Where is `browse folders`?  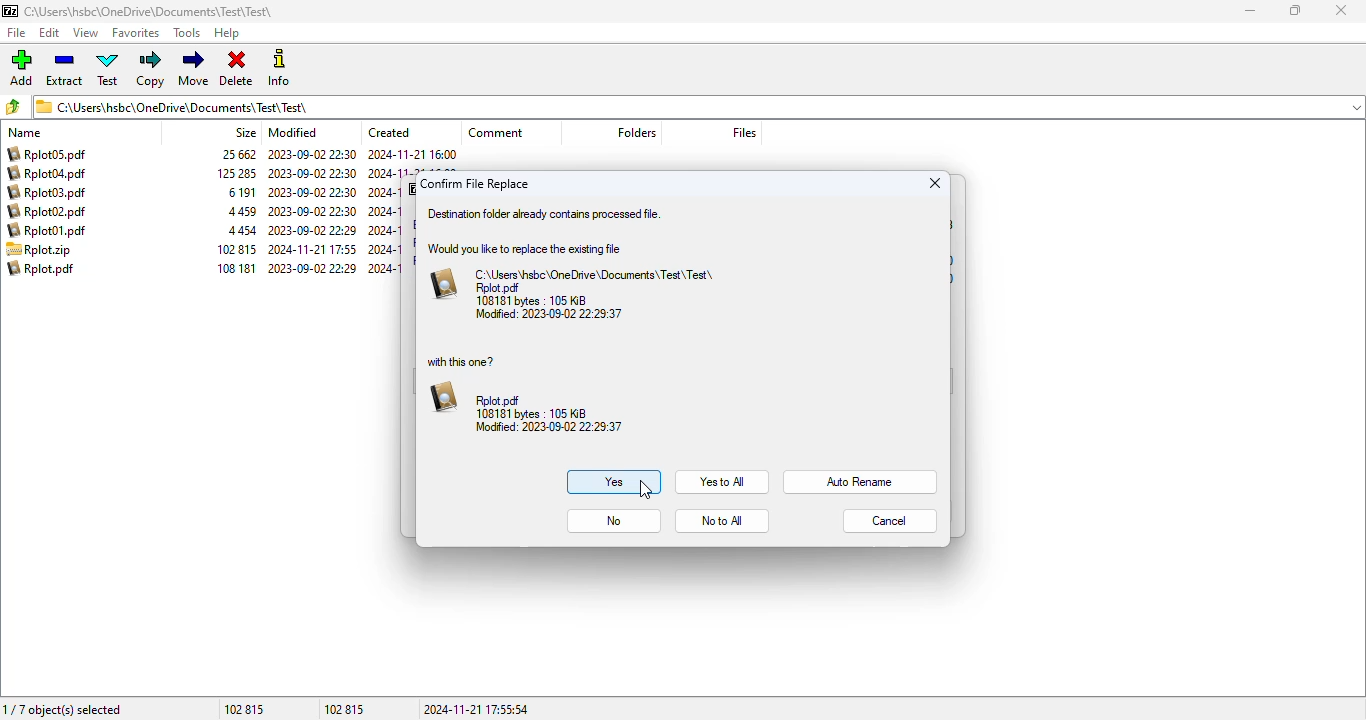
browse folders is located at coordinates (12, 106).